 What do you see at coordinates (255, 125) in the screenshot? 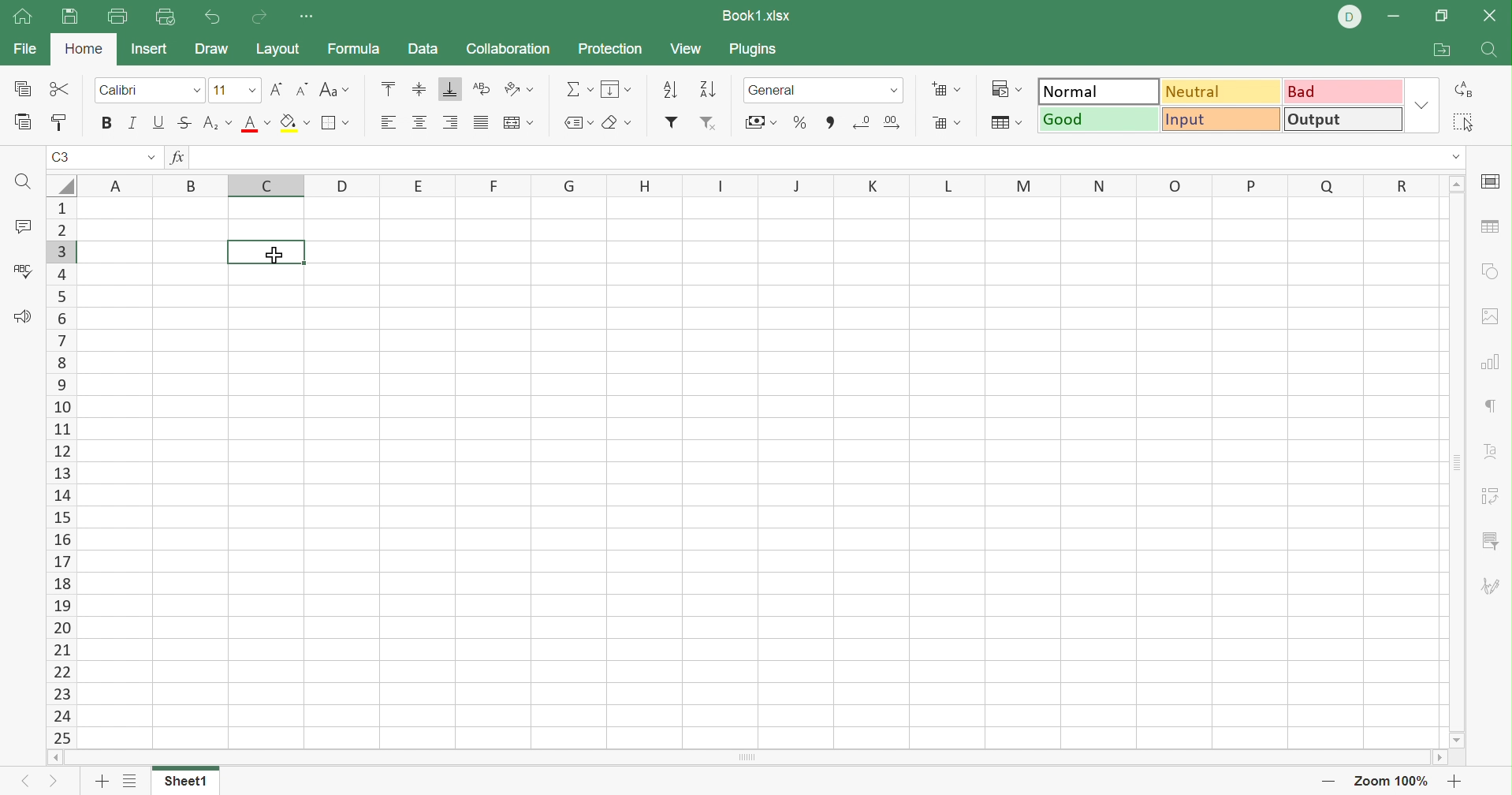
I see `Font color` at bounding box center [255, 125].